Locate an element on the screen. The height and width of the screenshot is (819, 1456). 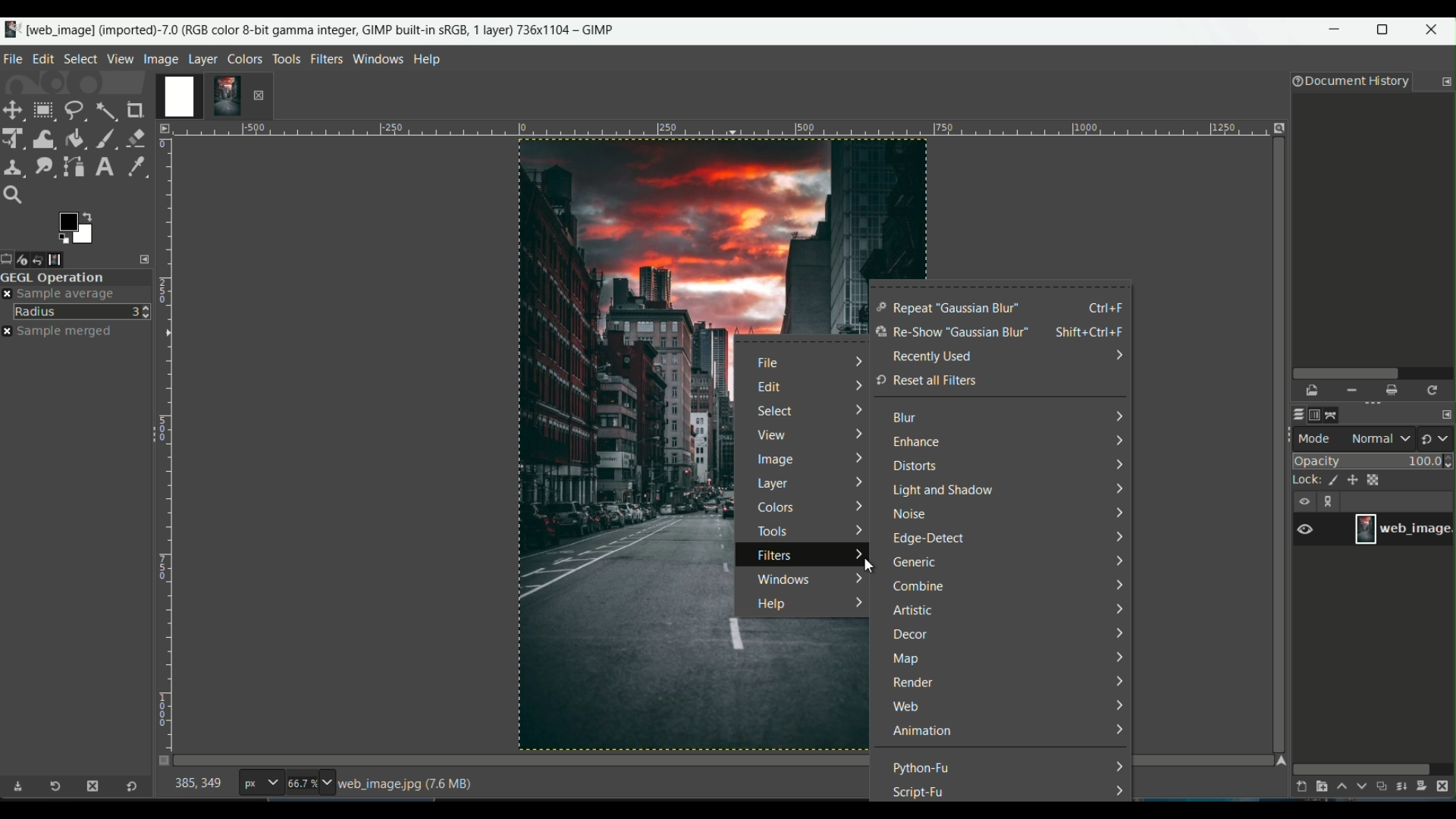
undo is located at coordinates (47, 259).